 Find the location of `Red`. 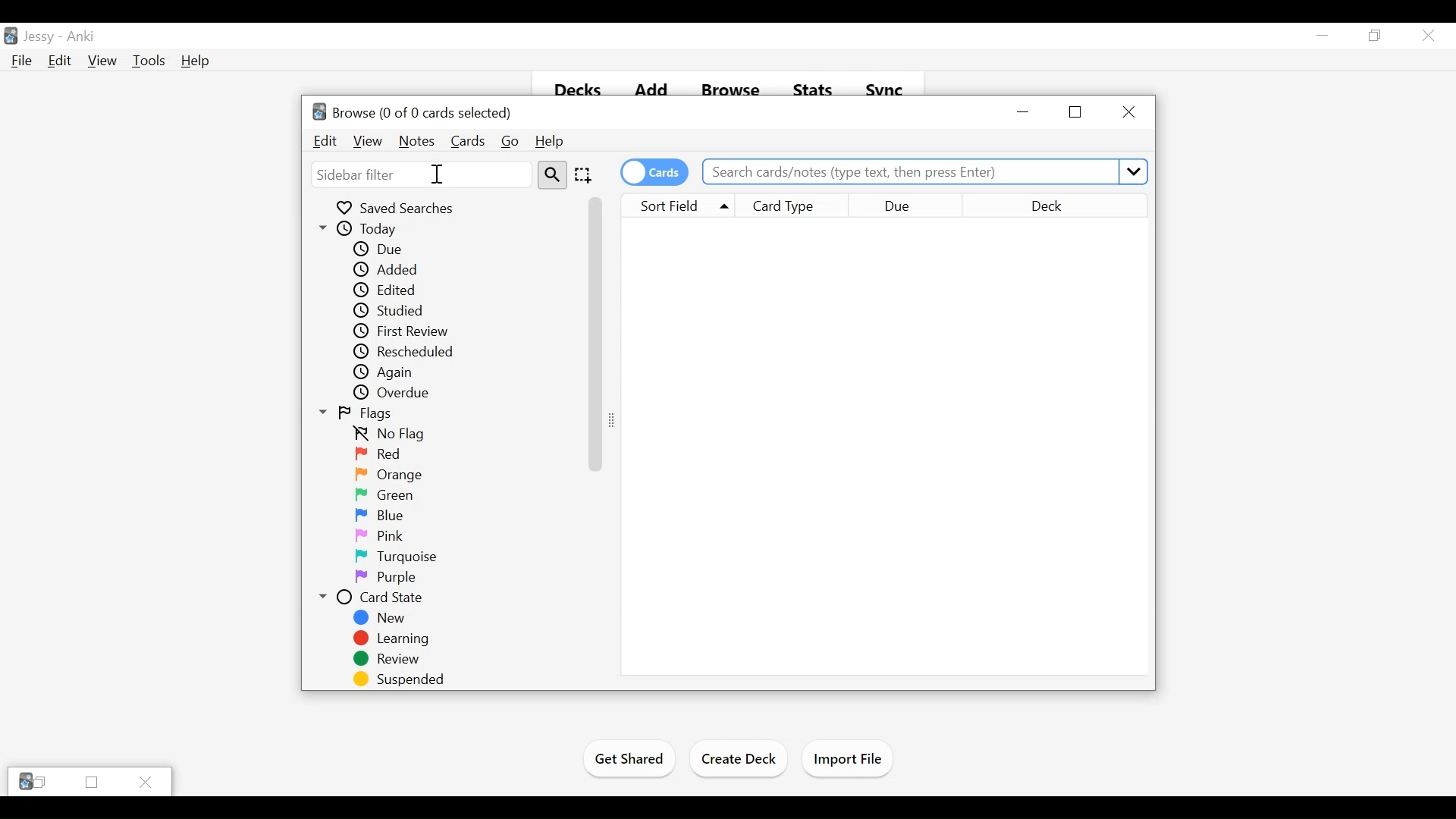

Red is located at coordinates (378, 453).